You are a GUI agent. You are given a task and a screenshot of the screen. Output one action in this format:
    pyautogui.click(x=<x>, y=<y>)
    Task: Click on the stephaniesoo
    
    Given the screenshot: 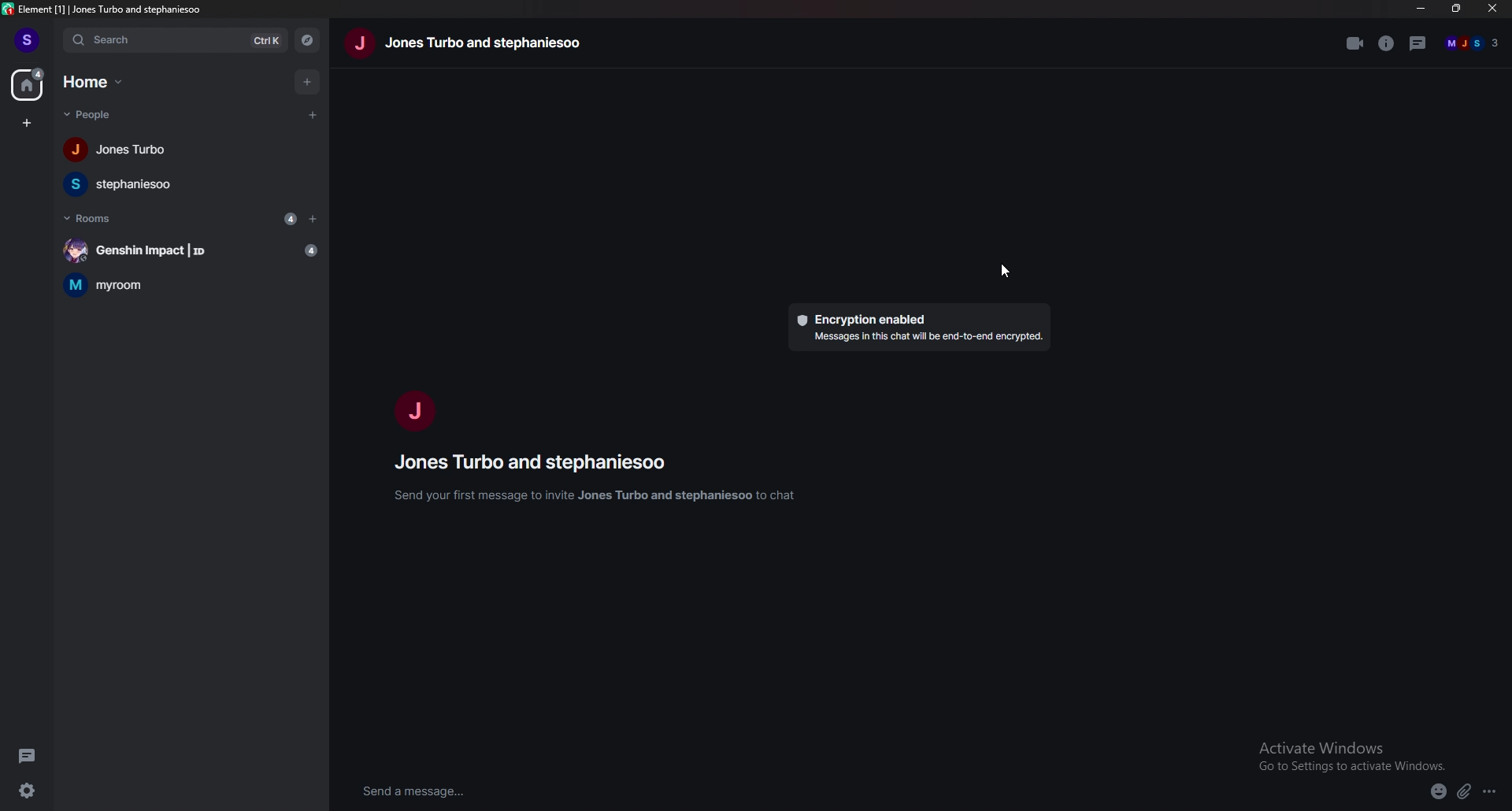 What is the action you would take?
    pyautogui.click(x=135, y=185)
    